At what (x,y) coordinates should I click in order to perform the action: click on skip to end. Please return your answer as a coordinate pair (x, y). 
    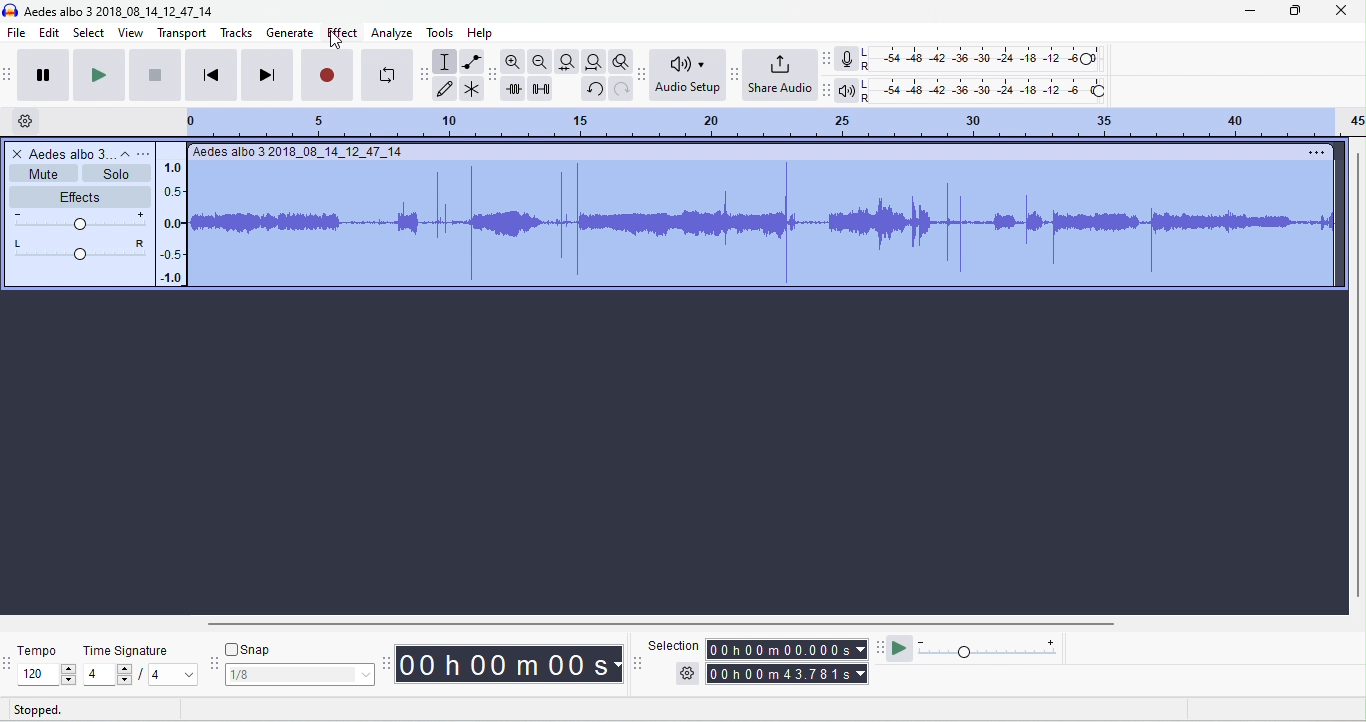
    Looking at the image, I should click on (266, 75).